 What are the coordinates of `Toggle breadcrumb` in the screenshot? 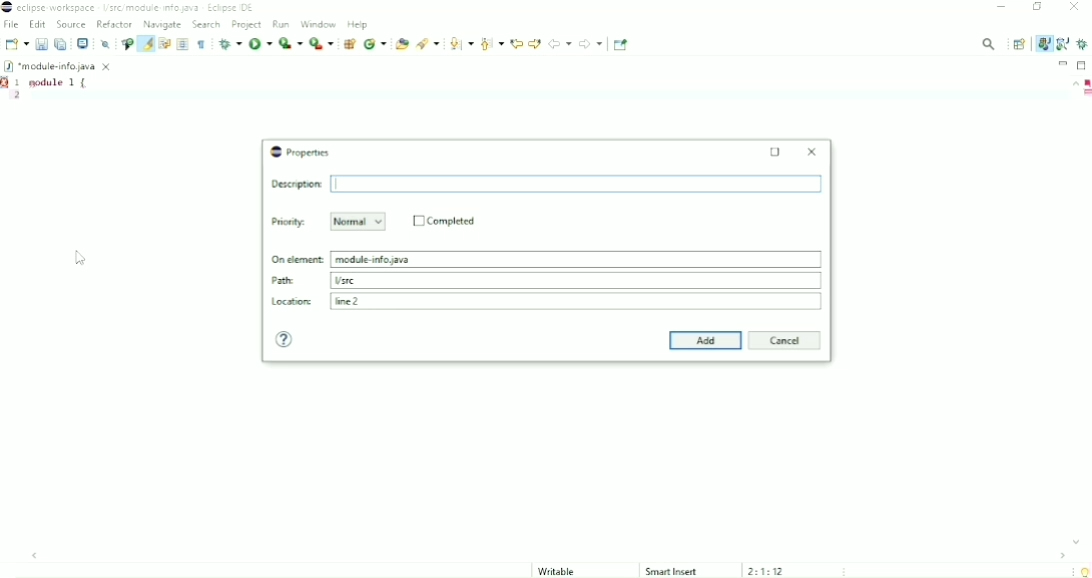 It's located at (126, 44).